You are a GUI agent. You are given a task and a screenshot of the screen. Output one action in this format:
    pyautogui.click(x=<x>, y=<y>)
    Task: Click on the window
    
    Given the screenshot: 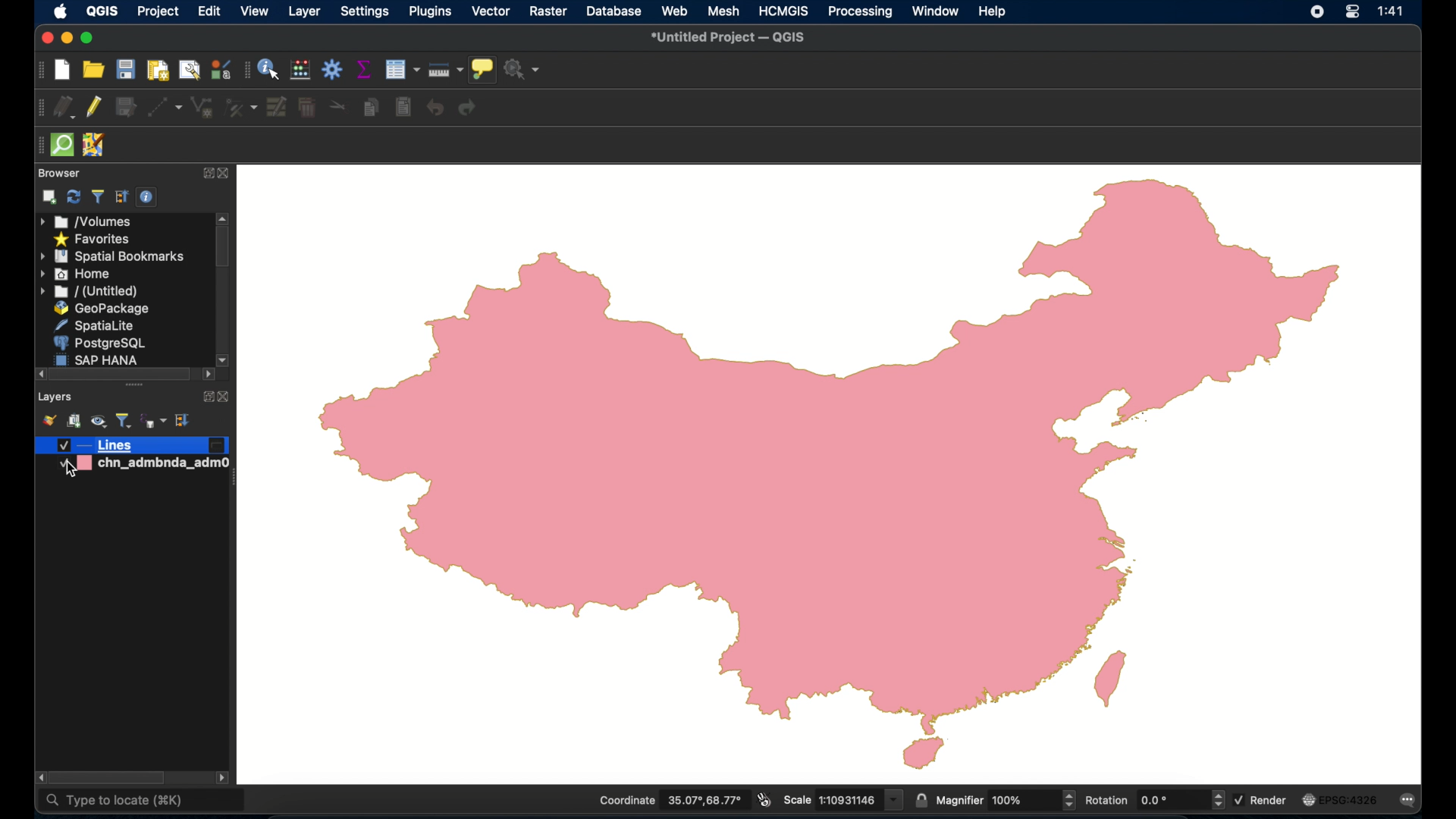 What is the action you would take?
    pyautogui.click(x=935, y=11)
    